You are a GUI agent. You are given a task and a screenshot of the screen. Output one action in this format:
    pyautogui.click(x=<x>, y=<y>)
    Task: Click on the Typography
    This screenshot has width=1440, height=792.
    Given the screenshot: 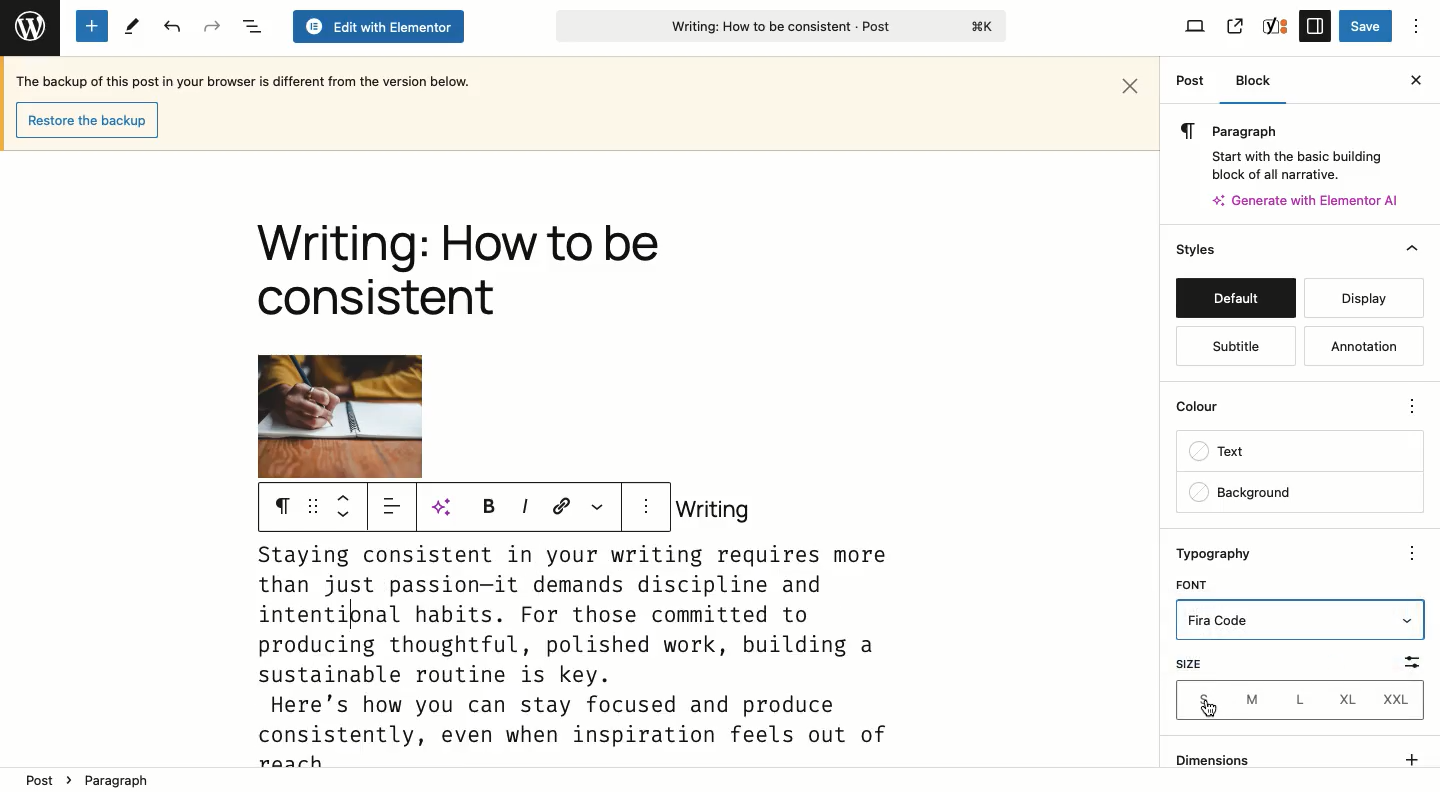 What is the action you would take?
    pyautogui.click(x=1226, y=553)
    